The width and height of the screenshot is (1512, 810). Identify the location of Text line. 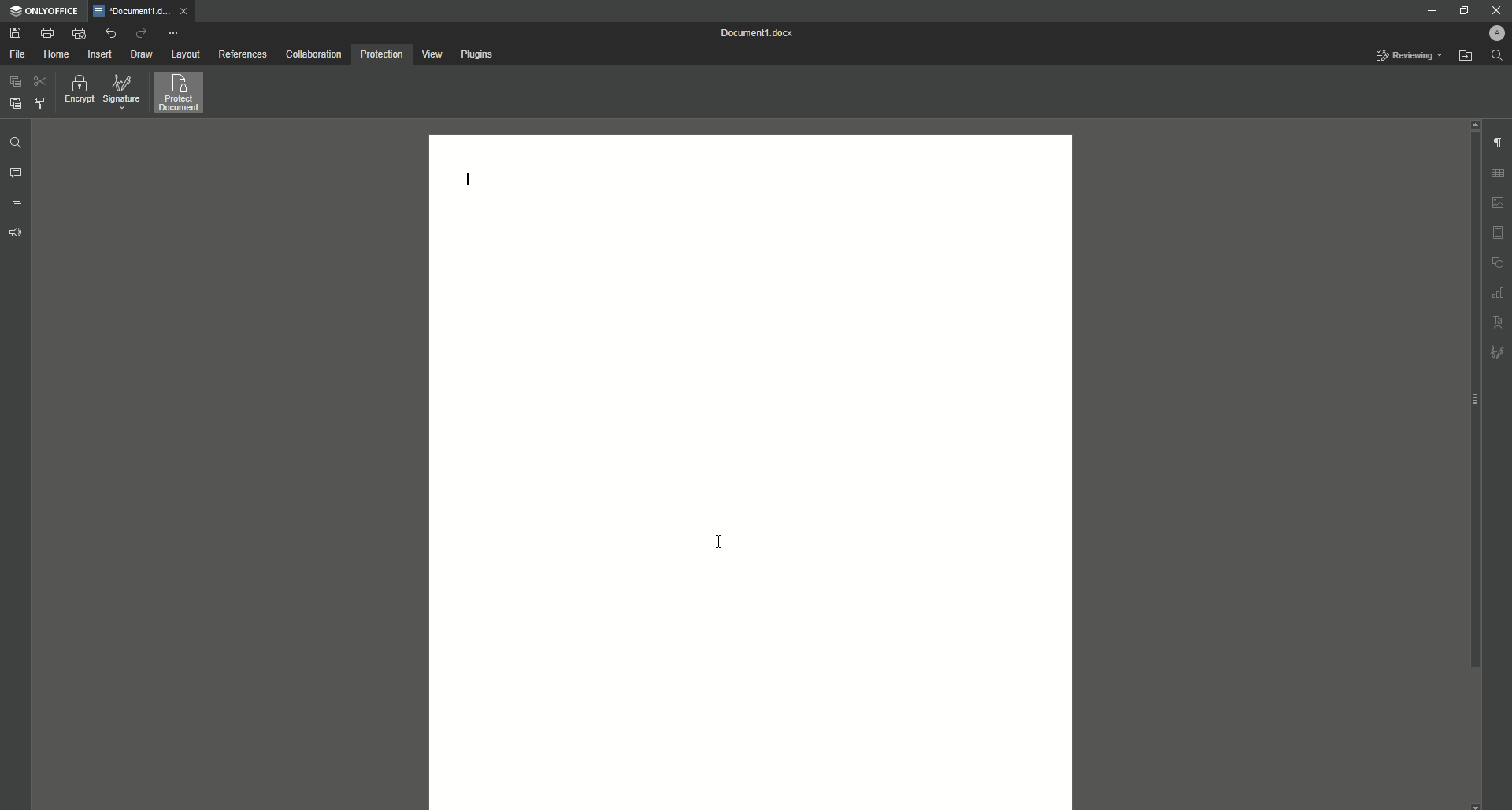
(468, 179).